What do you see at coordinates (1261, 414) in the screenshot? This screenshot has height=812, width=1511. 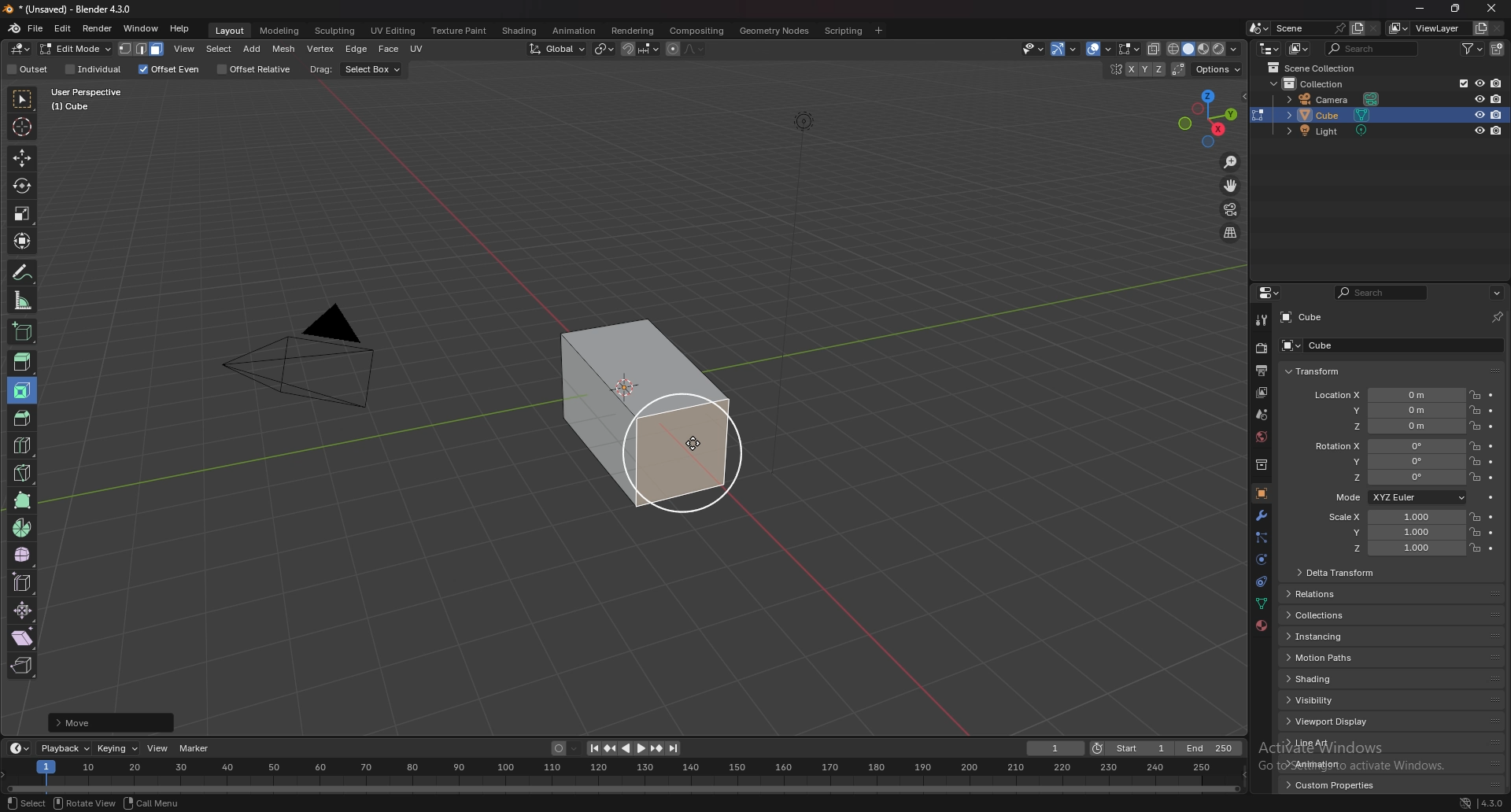 I see `scene` at bounding box center [1261, 414].